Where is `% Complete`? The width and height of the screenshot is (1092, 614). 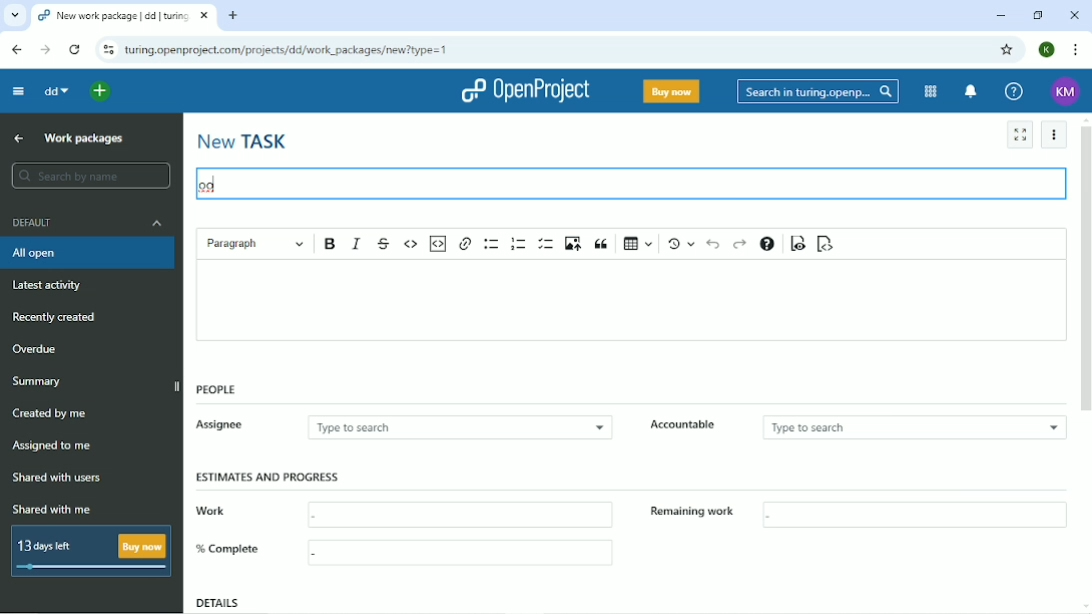
% Complete is located at coordinates (226, 553).